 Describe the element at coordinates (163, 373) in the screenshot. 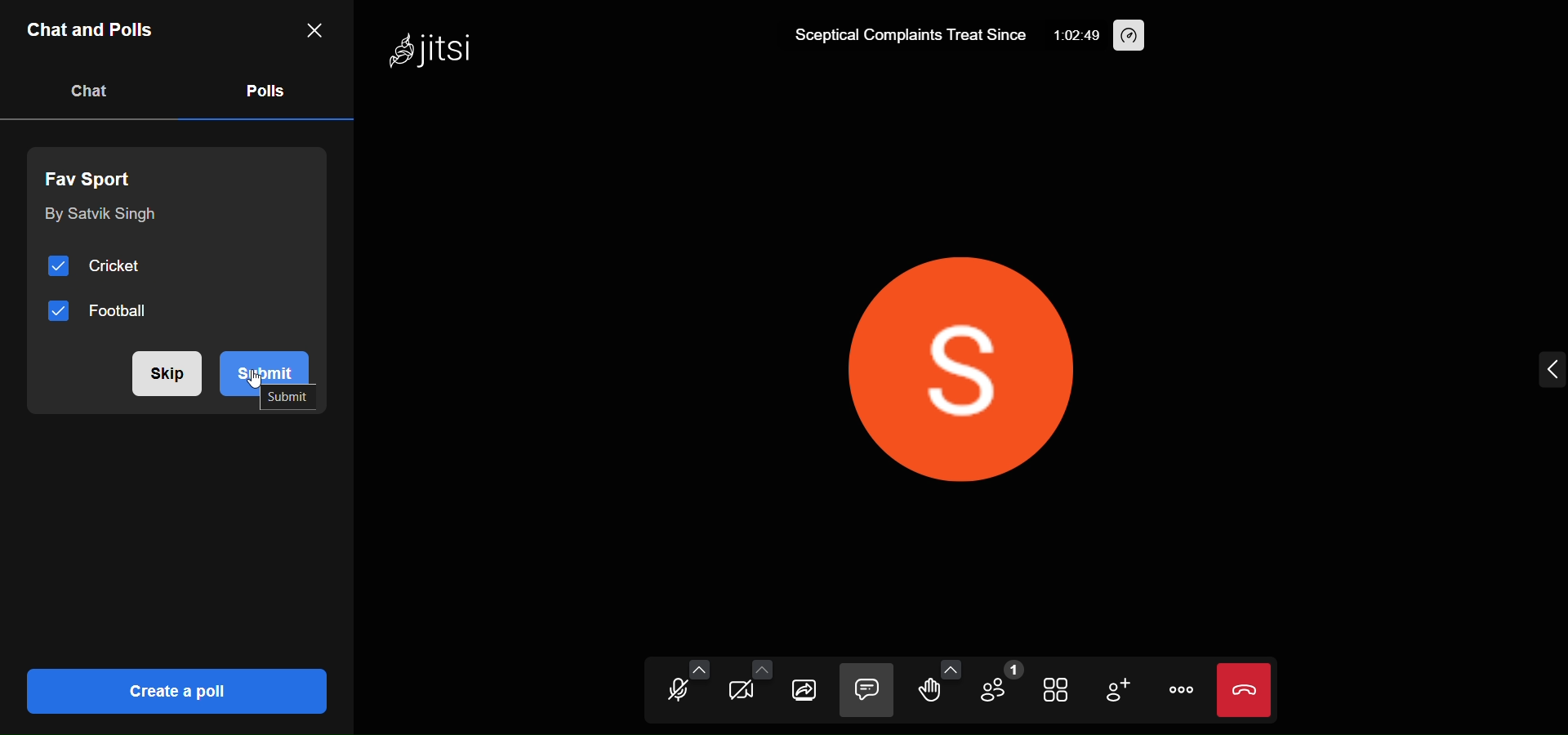

I see `skip` at that location.